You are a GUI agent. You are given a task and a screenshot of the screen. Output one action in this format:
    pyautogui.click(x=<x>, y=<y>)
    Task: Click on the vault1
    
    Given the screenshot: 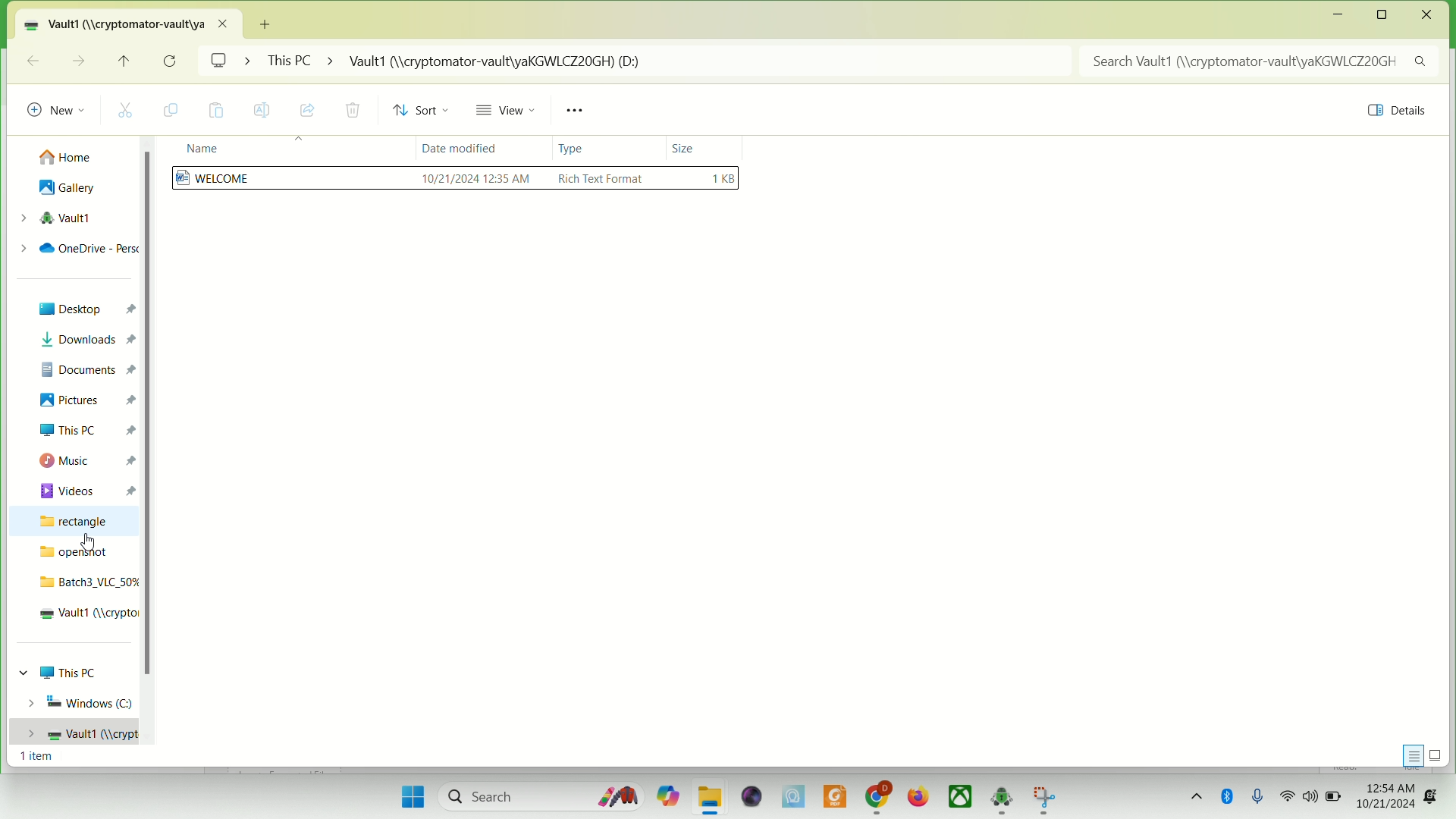 What is the action you would take?
    pyautogui.click(x=54, y=218)
    